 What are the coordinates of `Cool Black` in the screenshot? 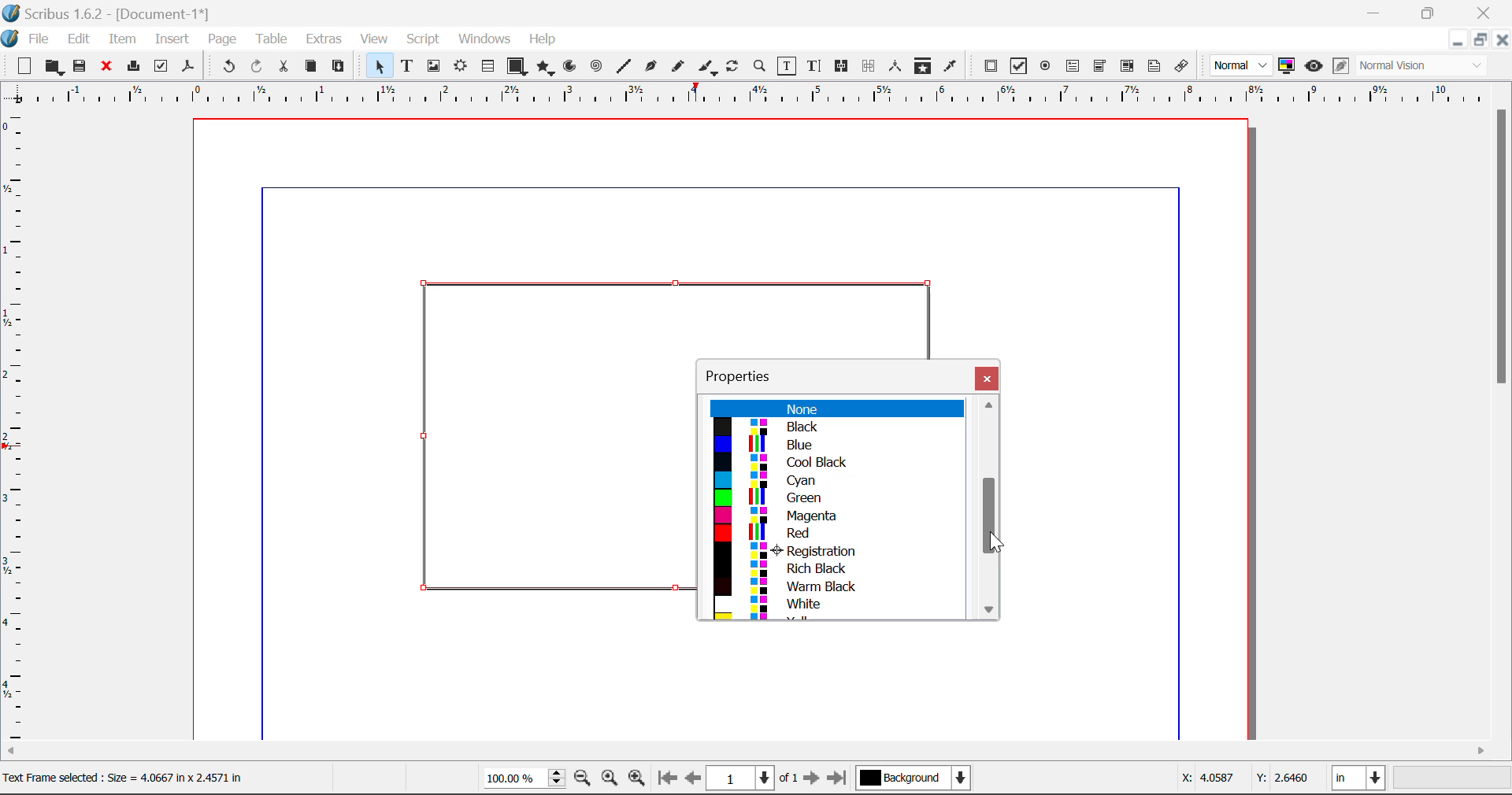 It's located at (836, 463).